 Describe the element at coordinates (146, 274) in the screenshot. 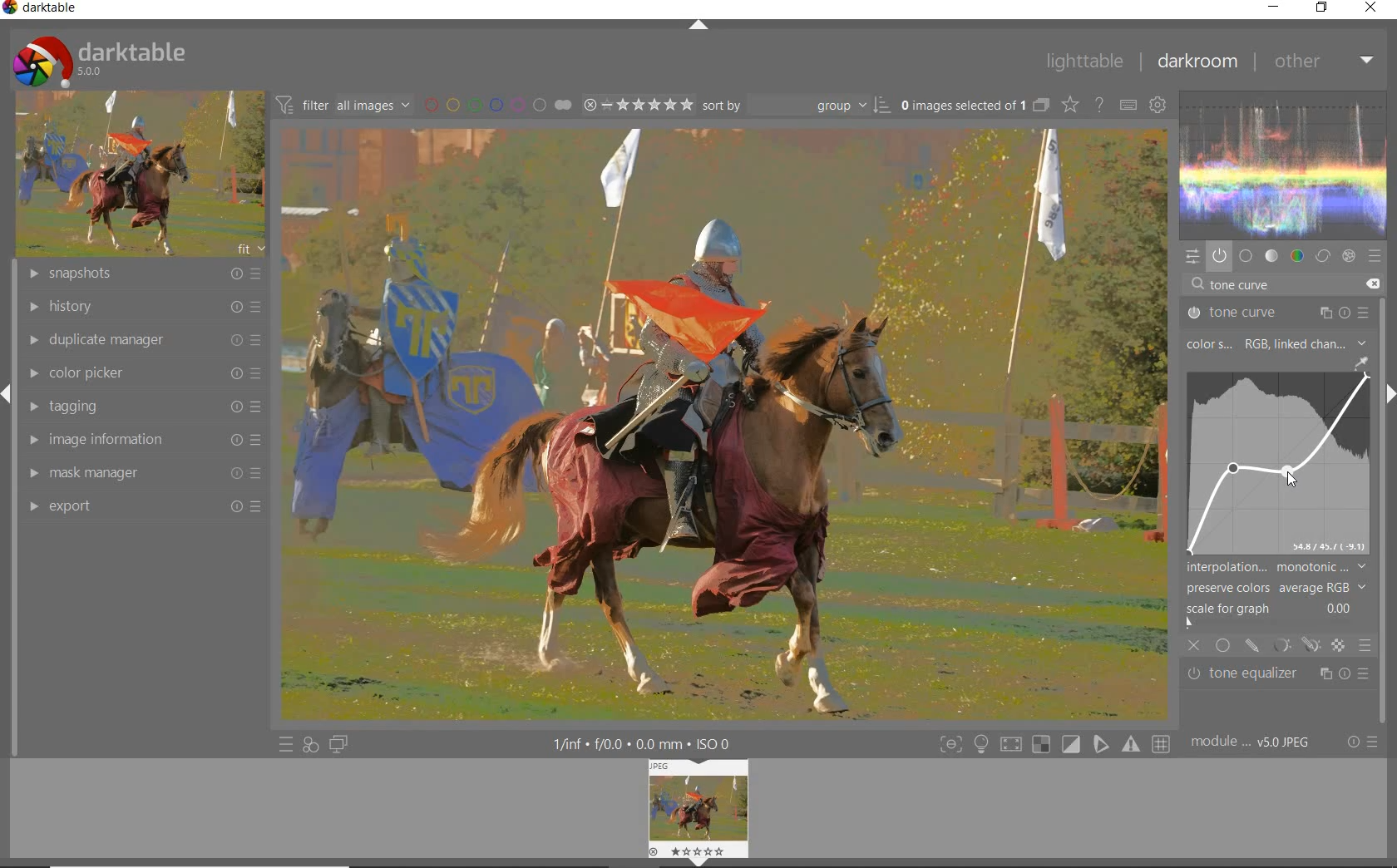

I see `snapshots` at that location.